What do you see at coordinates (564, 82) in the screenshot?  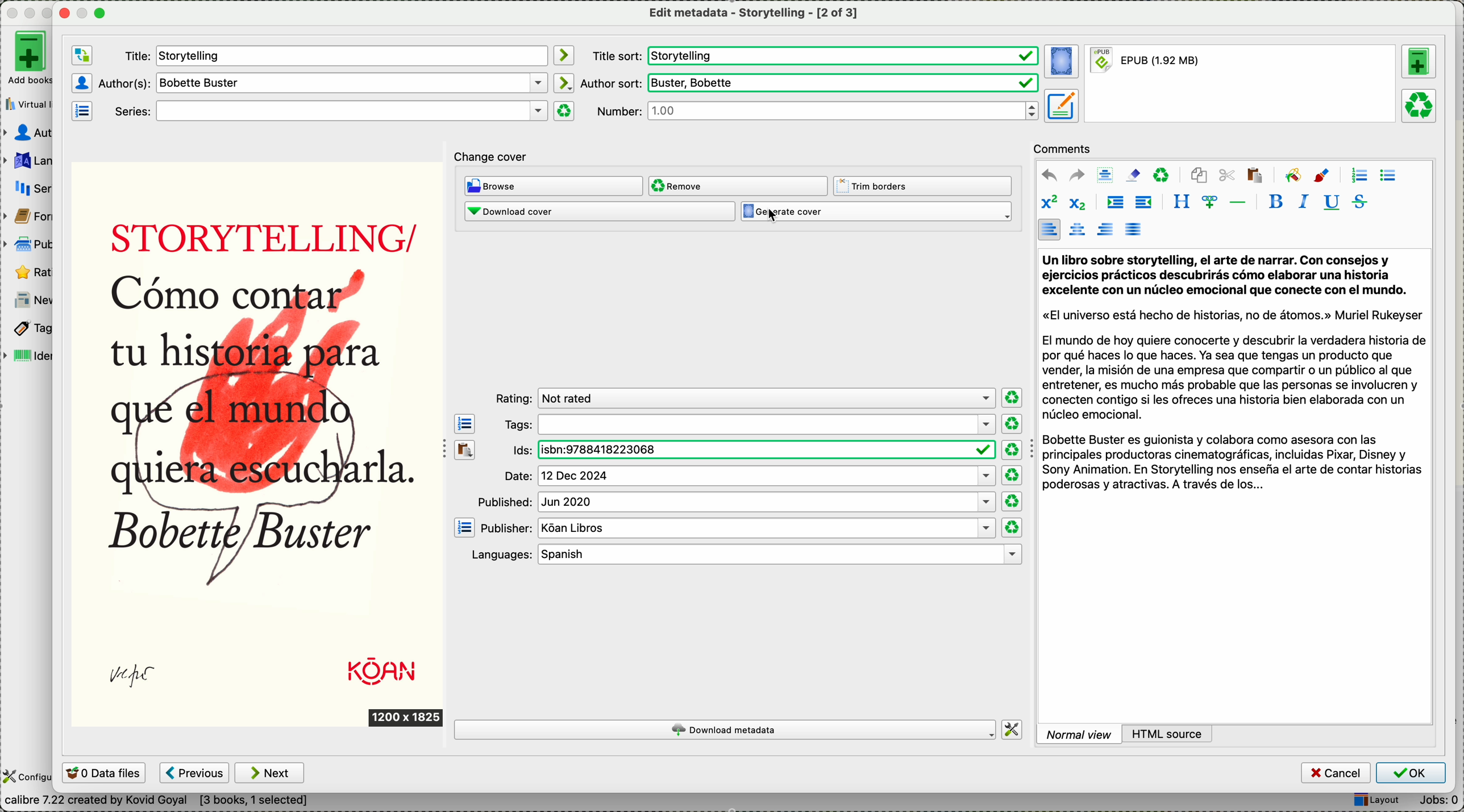 I see `icon` at bounding box center [564, 82].